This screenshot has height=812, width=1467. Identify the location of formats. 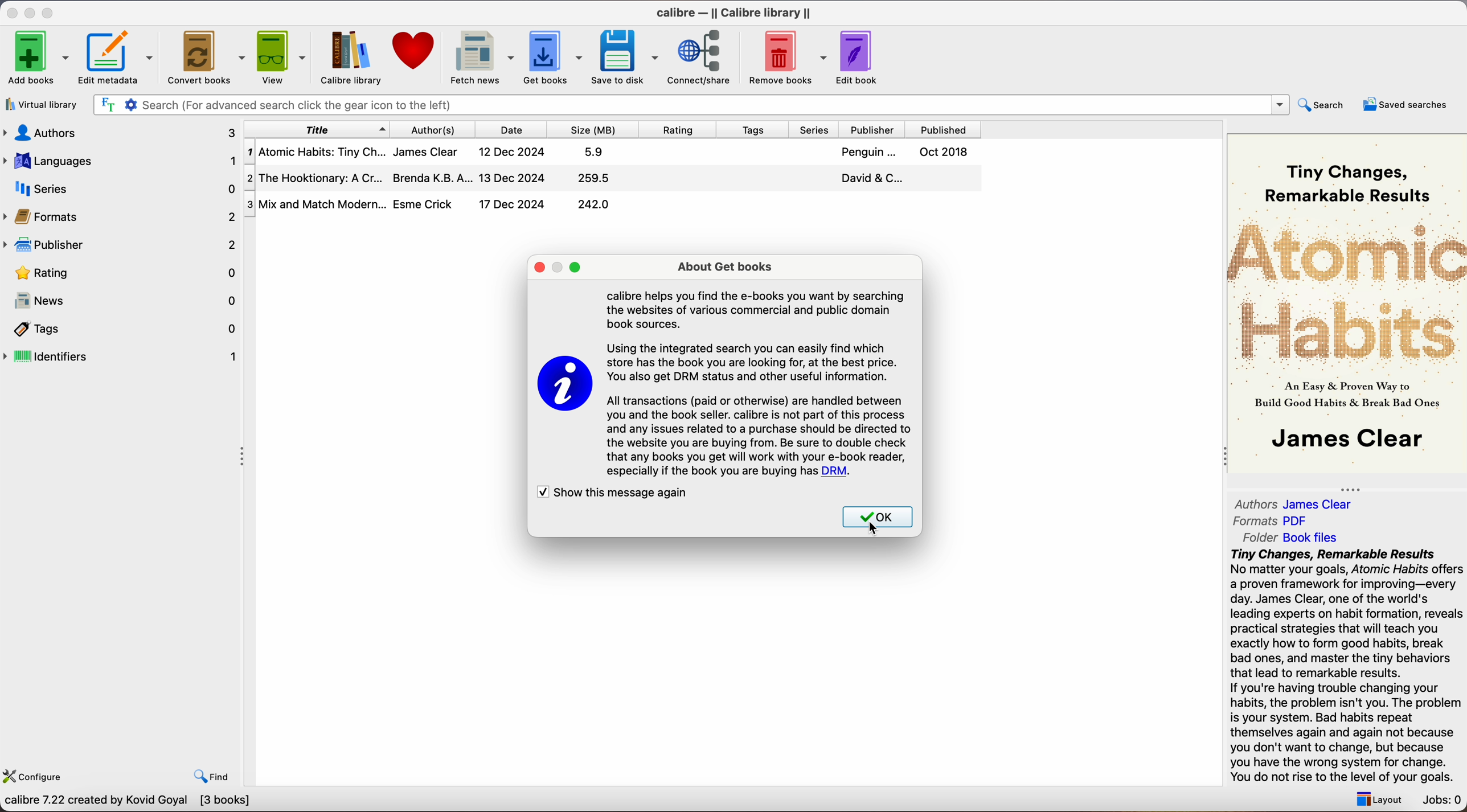
(121, 216).